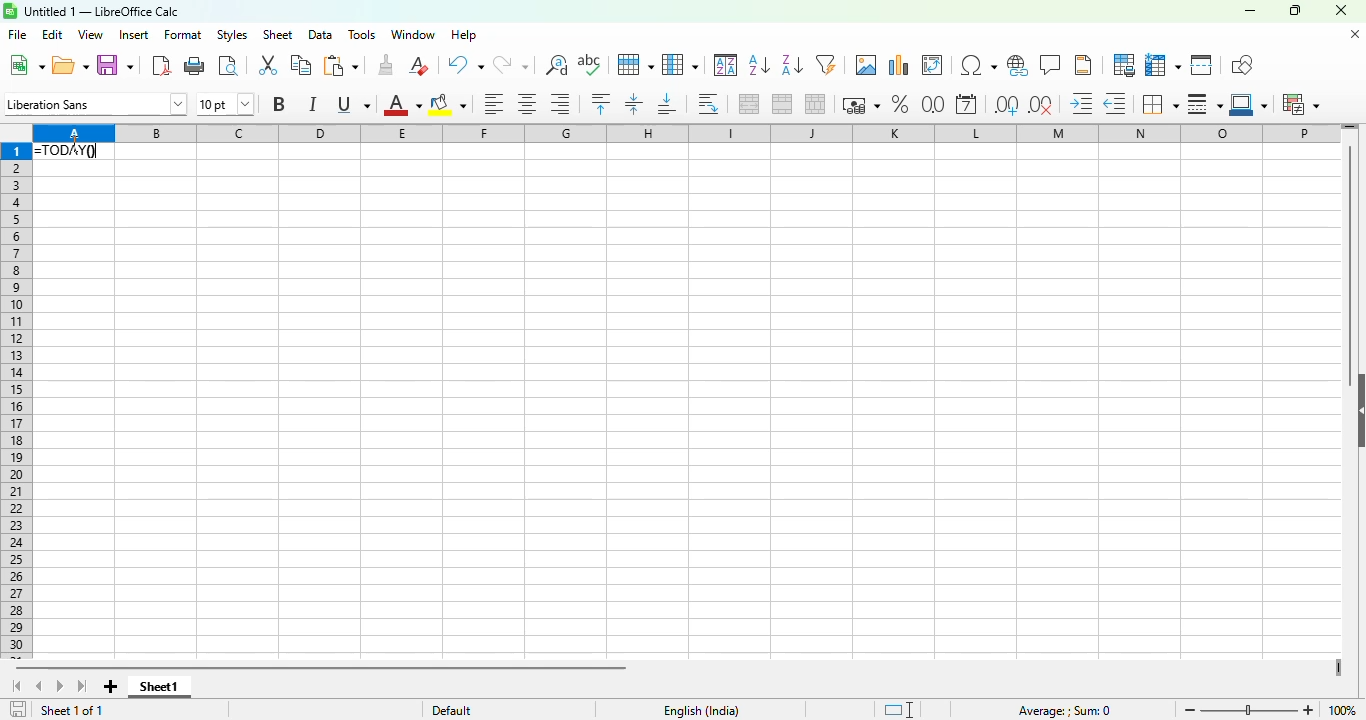 This screenshot has width=1366, height=720. I want to click on clear direct formatting, so click(418, 65).